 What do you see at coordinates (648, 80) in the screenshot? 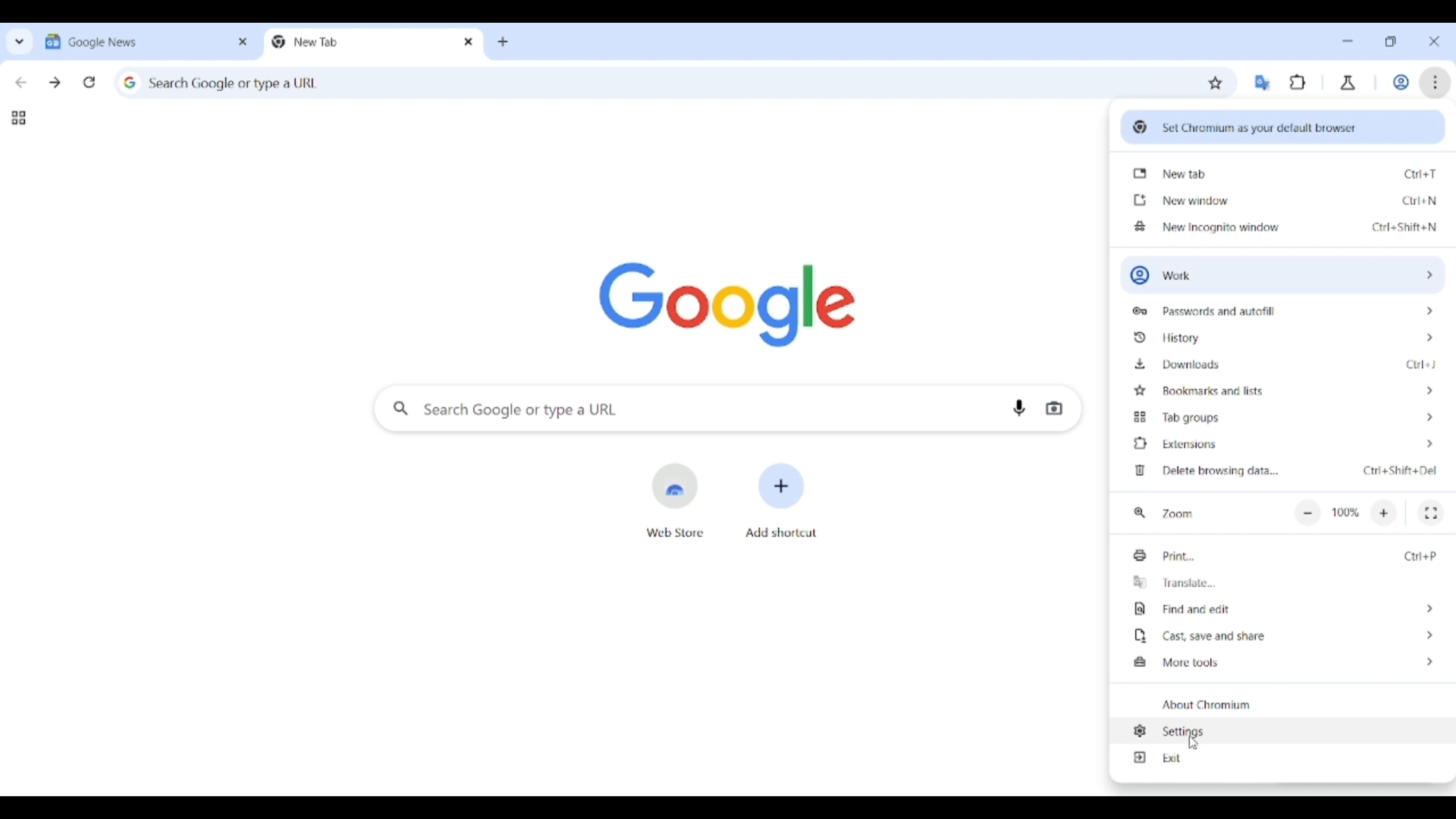
I see `Search Google or enter web link` at bounding box center [648, 80].